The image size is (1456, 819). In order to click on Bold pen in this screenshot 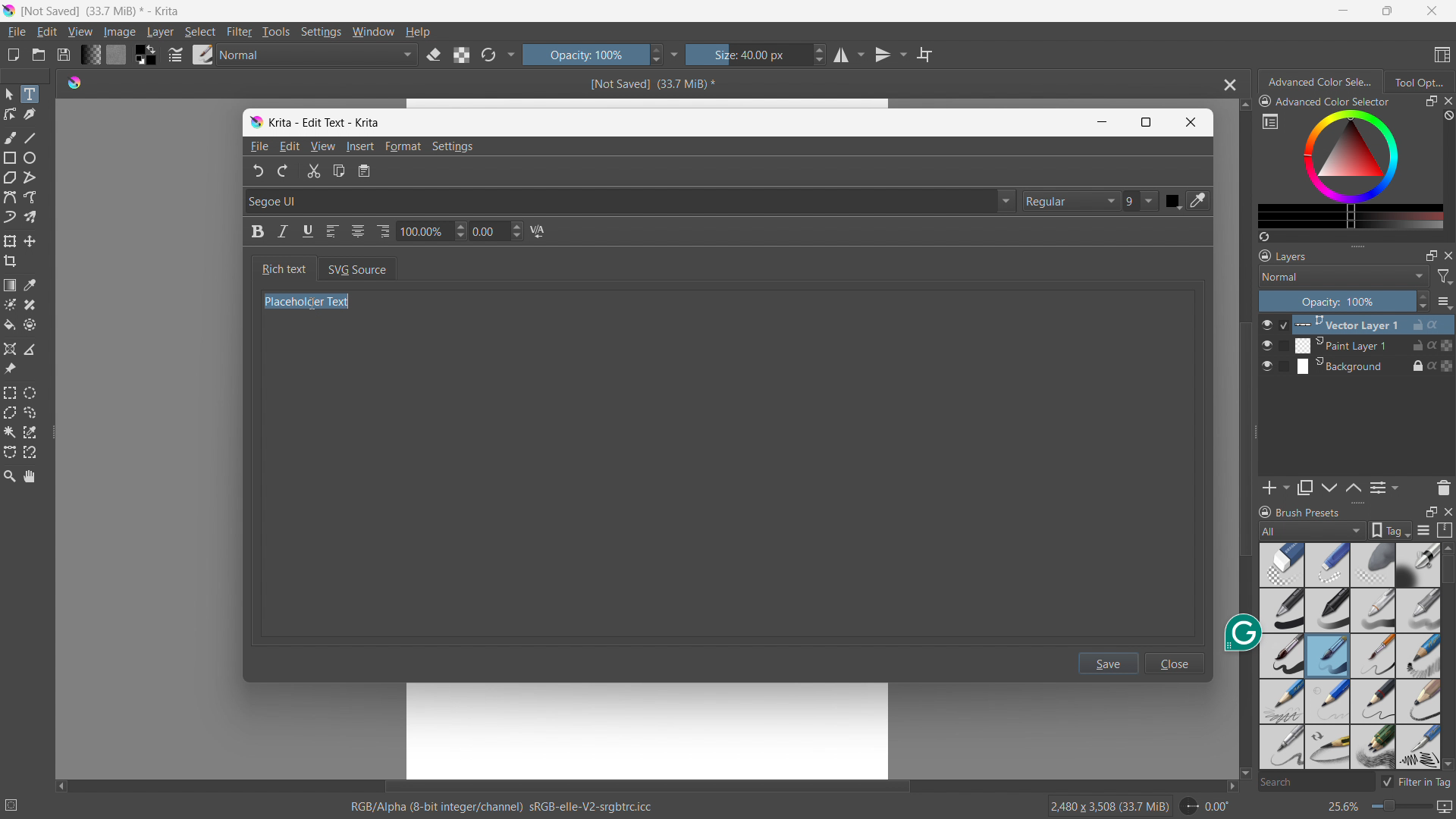, I will do `click(1417, 565)`.